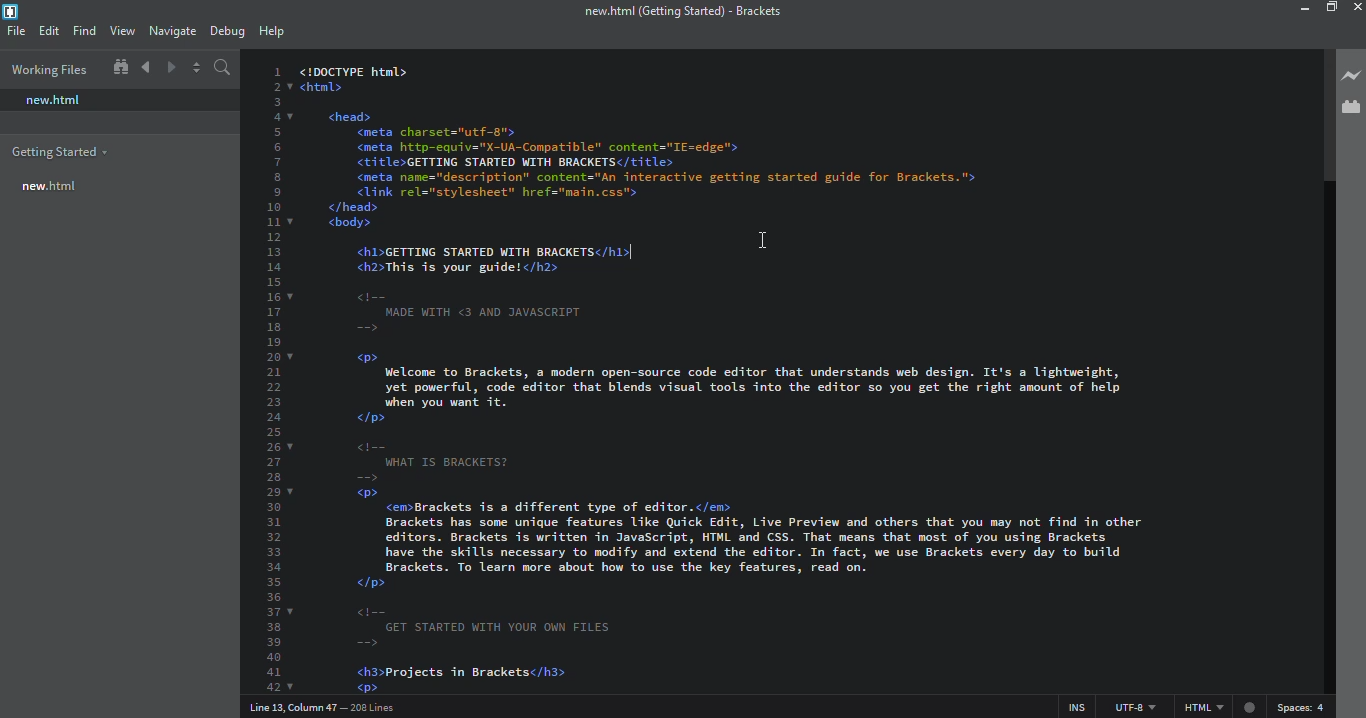 The height and width of the screenshot is (718, 1366). I want to click on maximize, so click(1331, 8).